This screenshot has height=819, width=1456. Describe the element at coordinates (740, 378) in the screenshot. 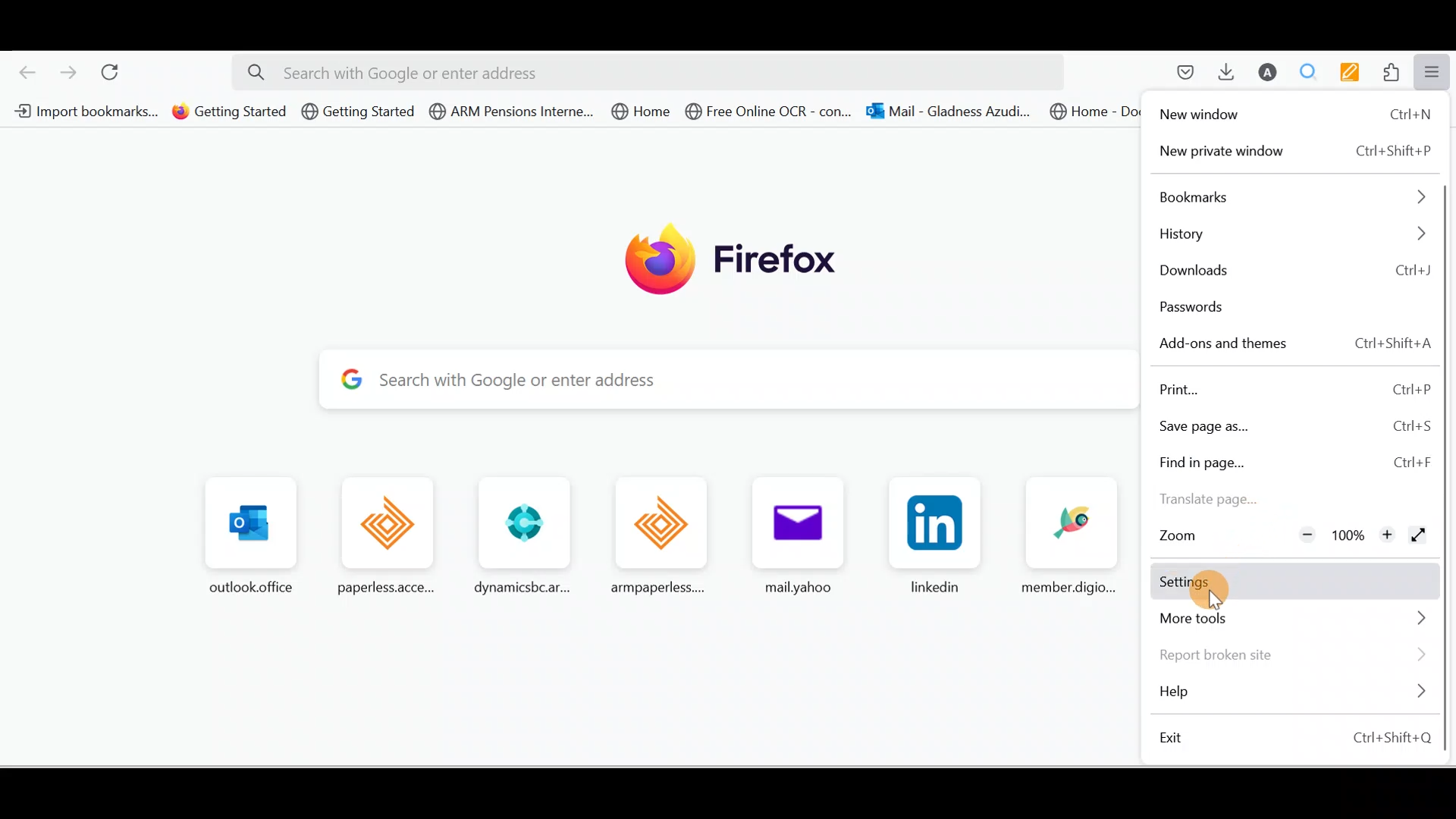

I see `Search with Google or enter address` at that location.